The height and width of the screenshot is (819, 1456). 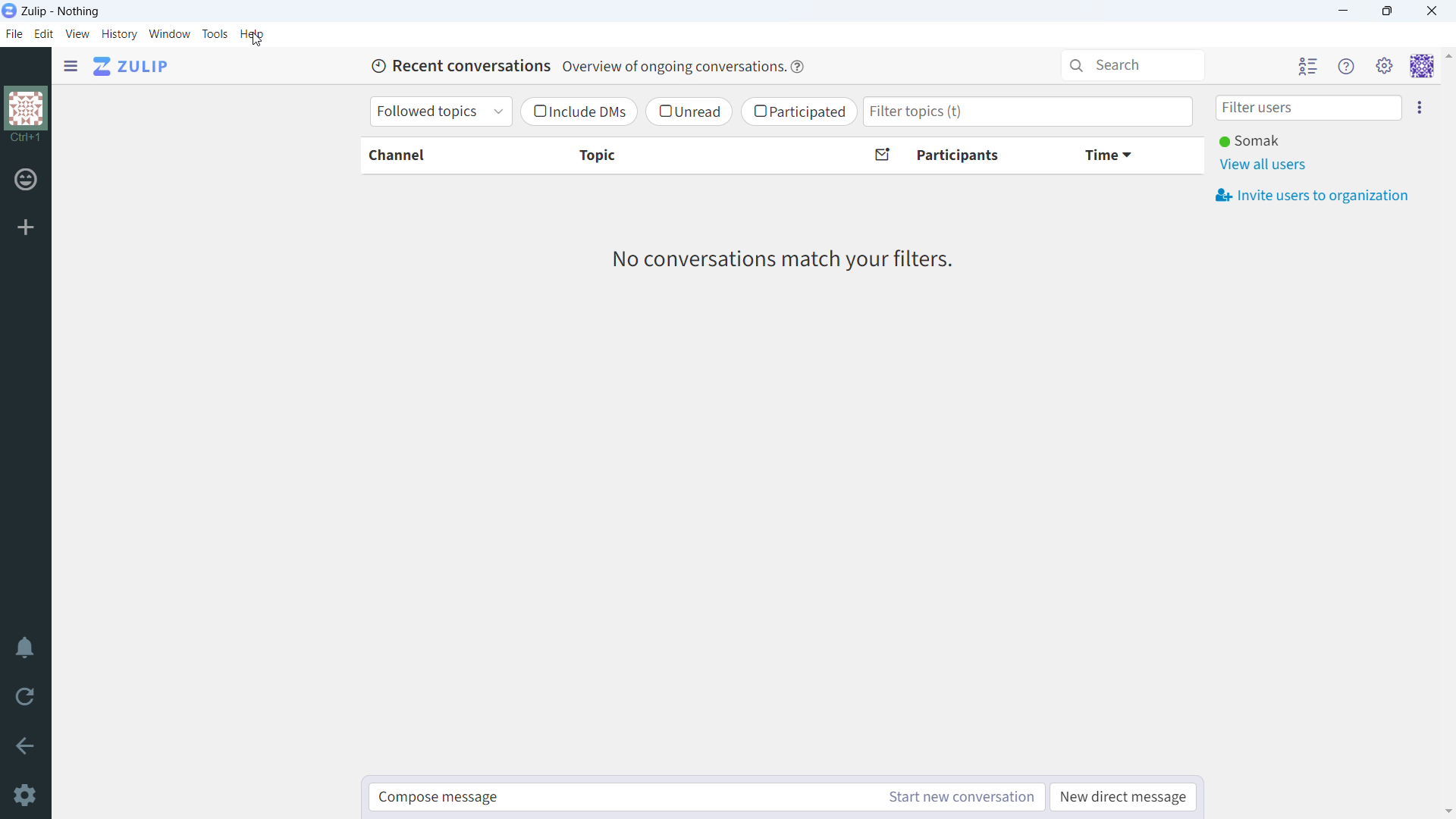 What do you see at coordinates (25, 745) in the screenshot?
I see `go back` at bounding box center [25, 745].